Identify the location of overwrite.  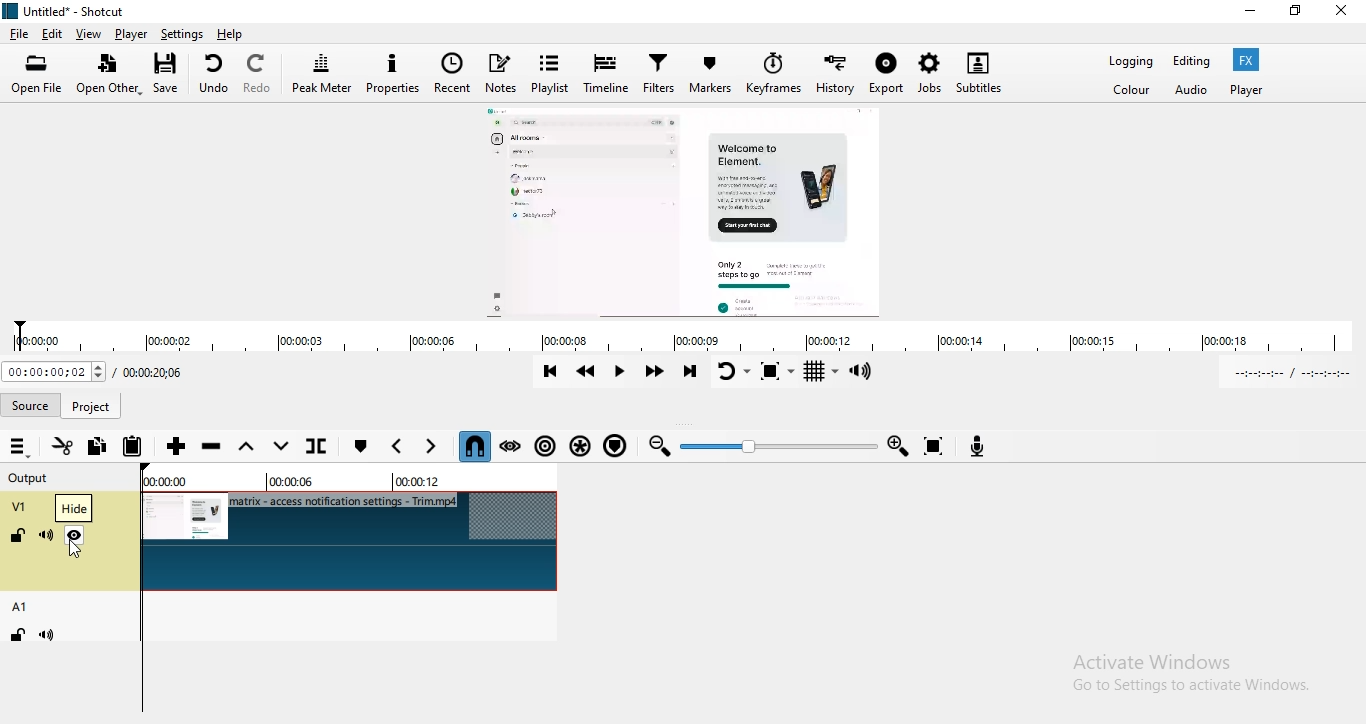
(282, 451).